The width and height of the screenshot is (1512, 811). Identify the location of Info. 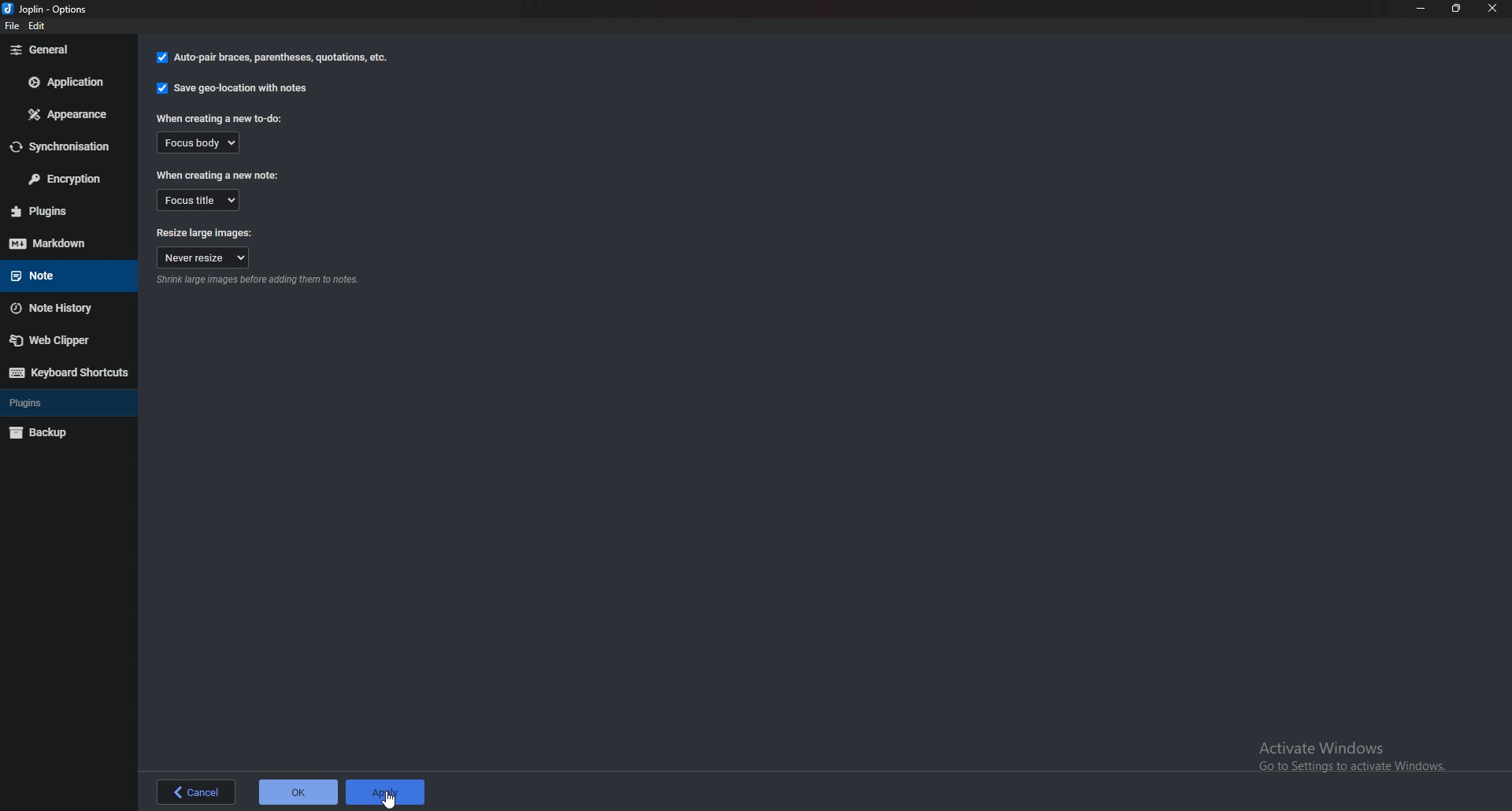
(258, 281).